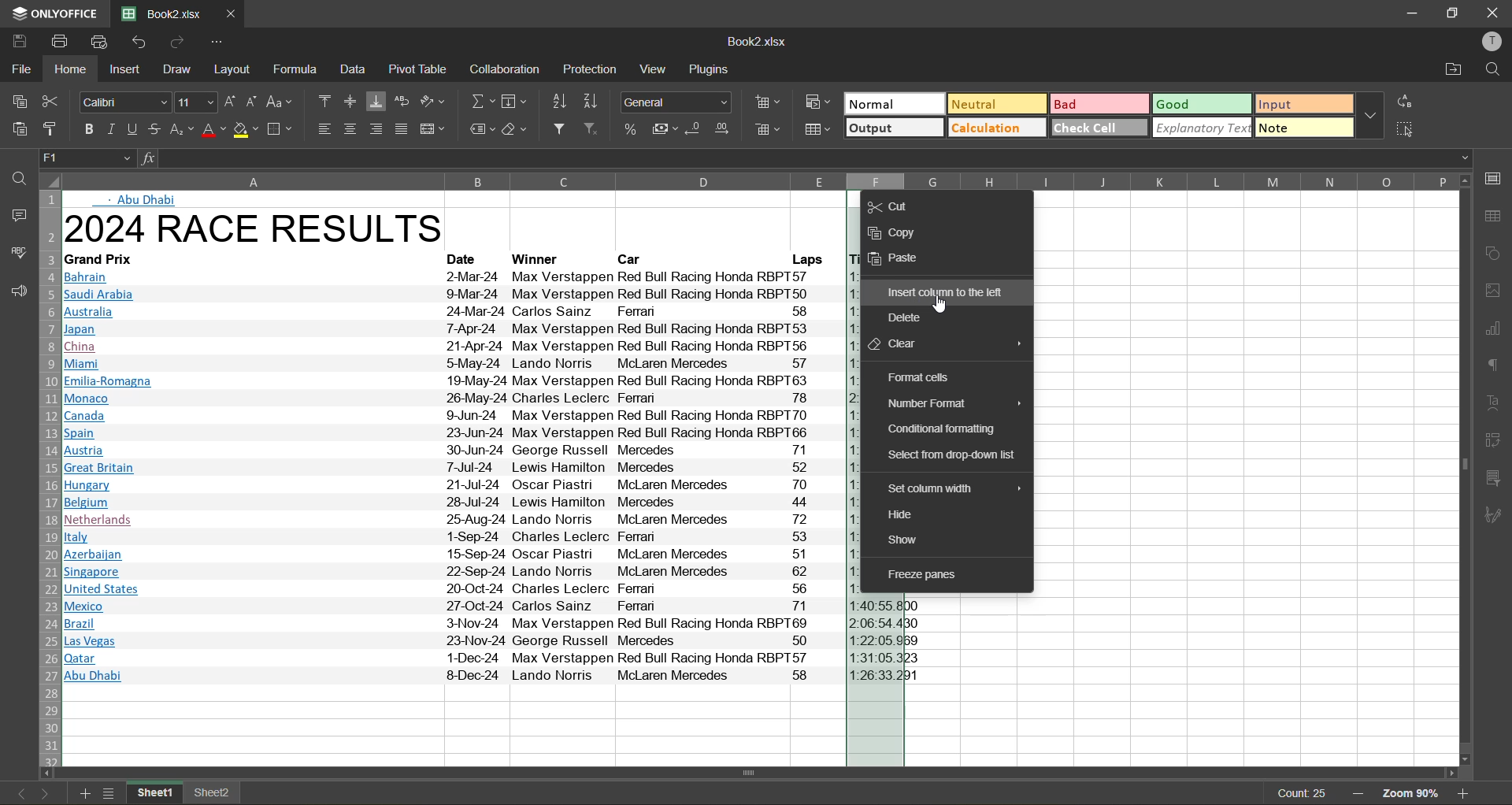 The image size is (1512, 805). Describe the element at coordinates (351, 127) in the screenshot. I see `align center` at that location.